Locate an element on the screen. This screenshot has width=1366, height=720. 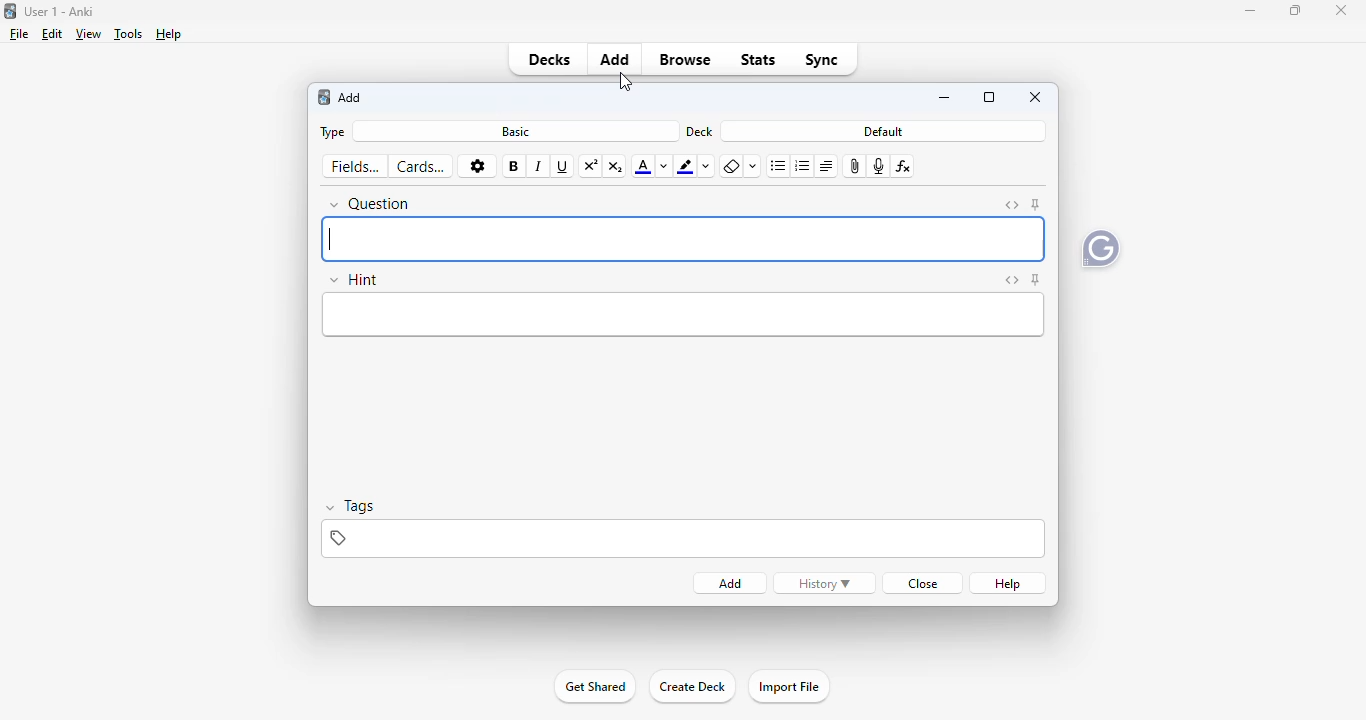
ordered list is located at coordinates (803, 166).